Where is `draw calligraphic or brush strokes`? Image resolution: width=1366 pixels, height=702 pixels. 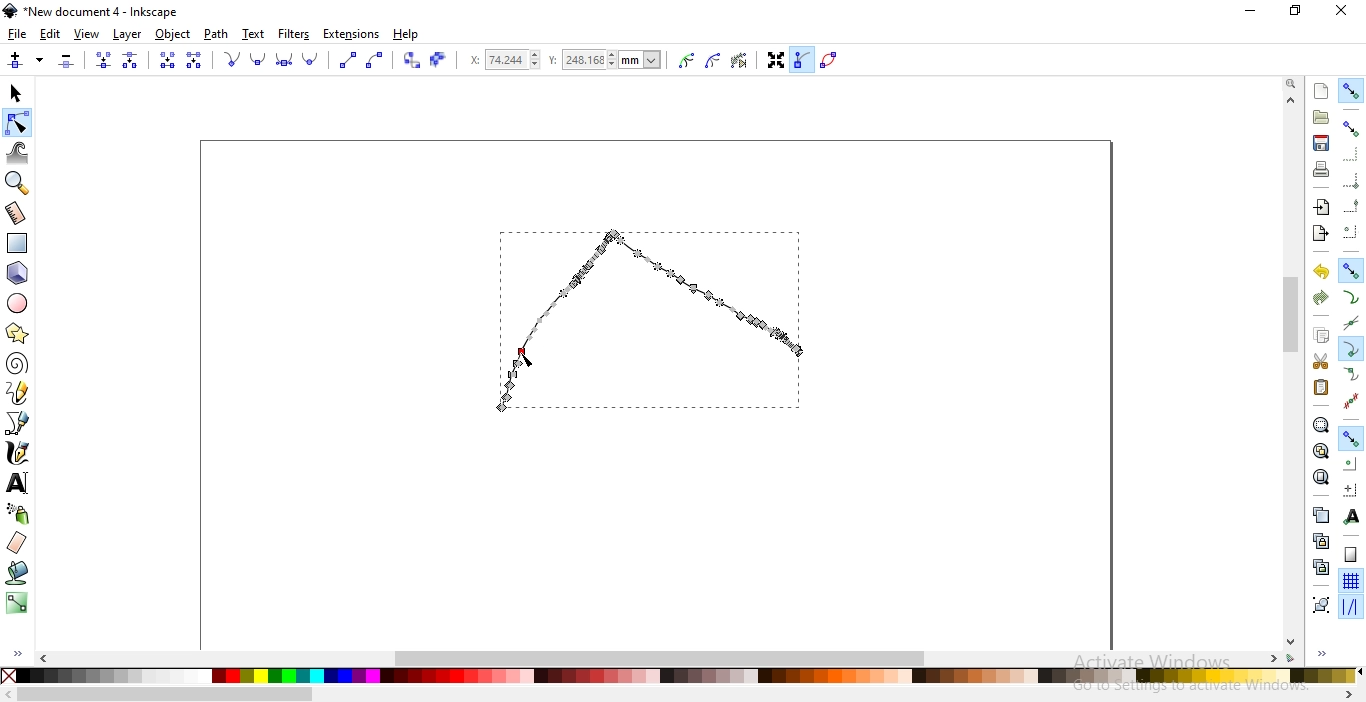 draw calligraphic or brush strokes is located at coordinates (19, 453).